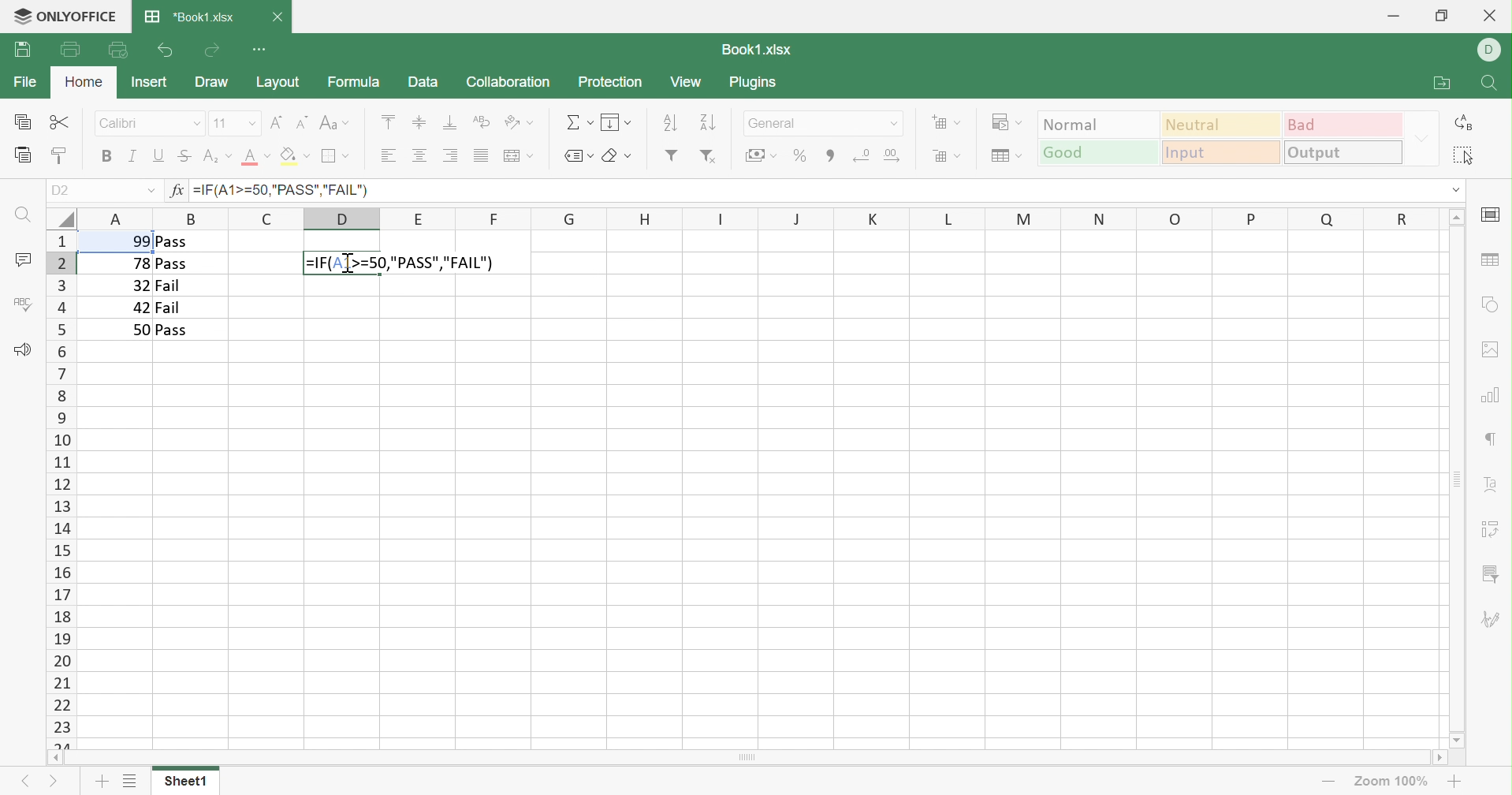 The height and width of the screenshot is (795, 1512). Describe the element at coordinates (417, 121) in the screenshot. I see `Align middle` at that location.